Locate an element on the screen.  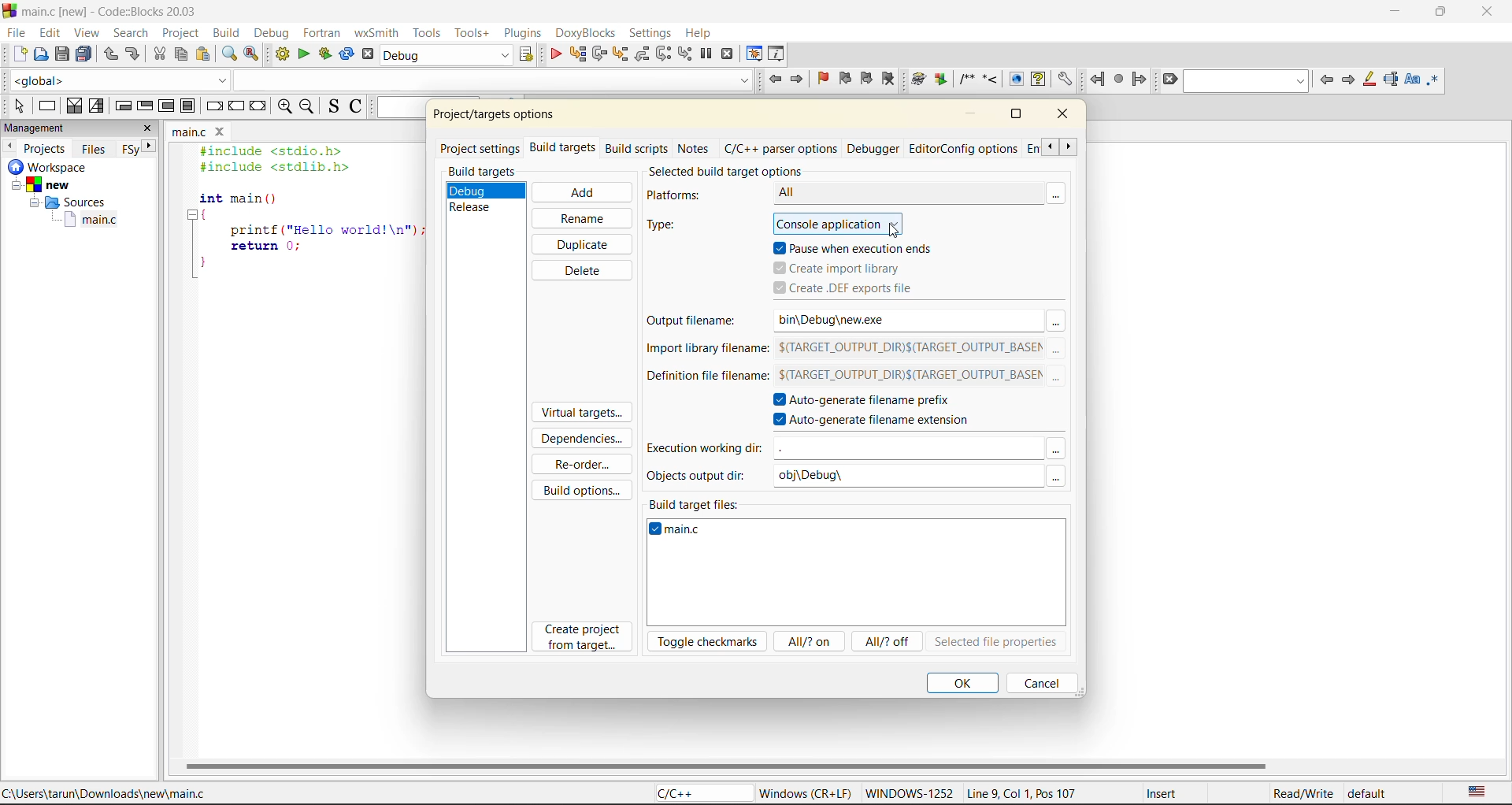
find is located at coordinates (228, 53).